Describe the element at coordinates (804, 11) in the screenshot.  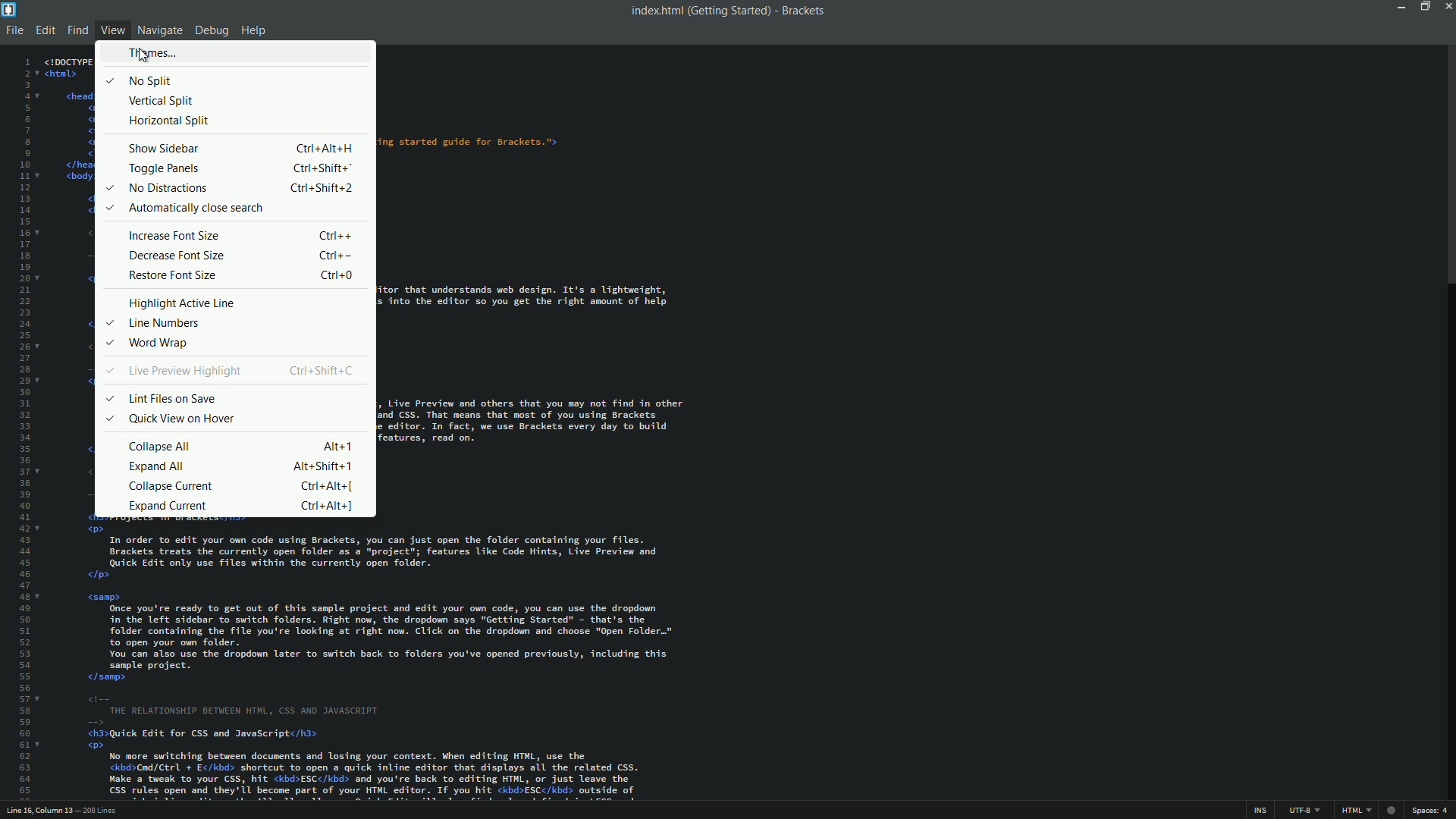
I see `app name` at that location.